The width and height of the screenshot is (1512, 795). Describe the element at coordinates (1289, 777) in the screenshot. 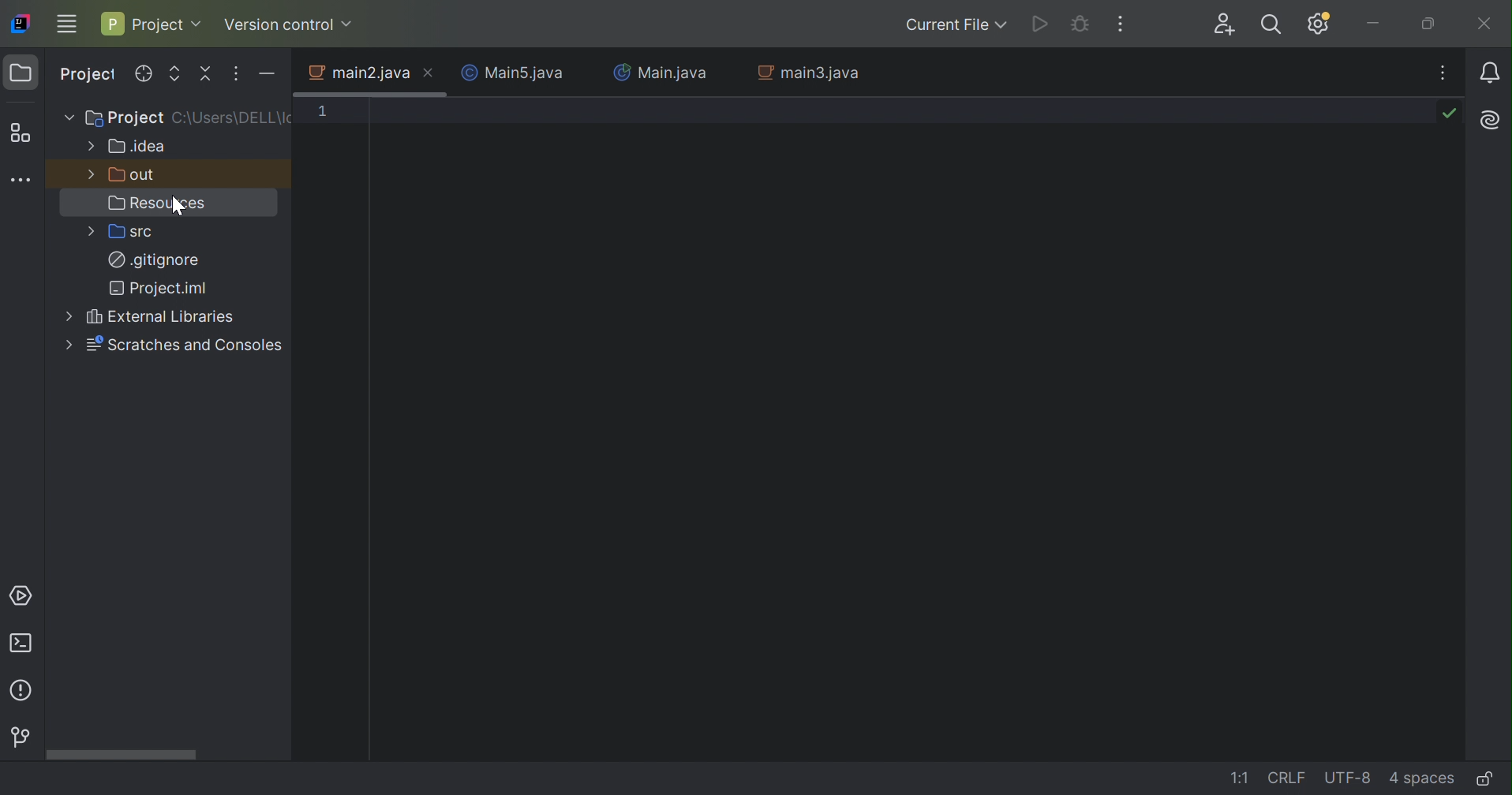

I see `CRLF` at that location.